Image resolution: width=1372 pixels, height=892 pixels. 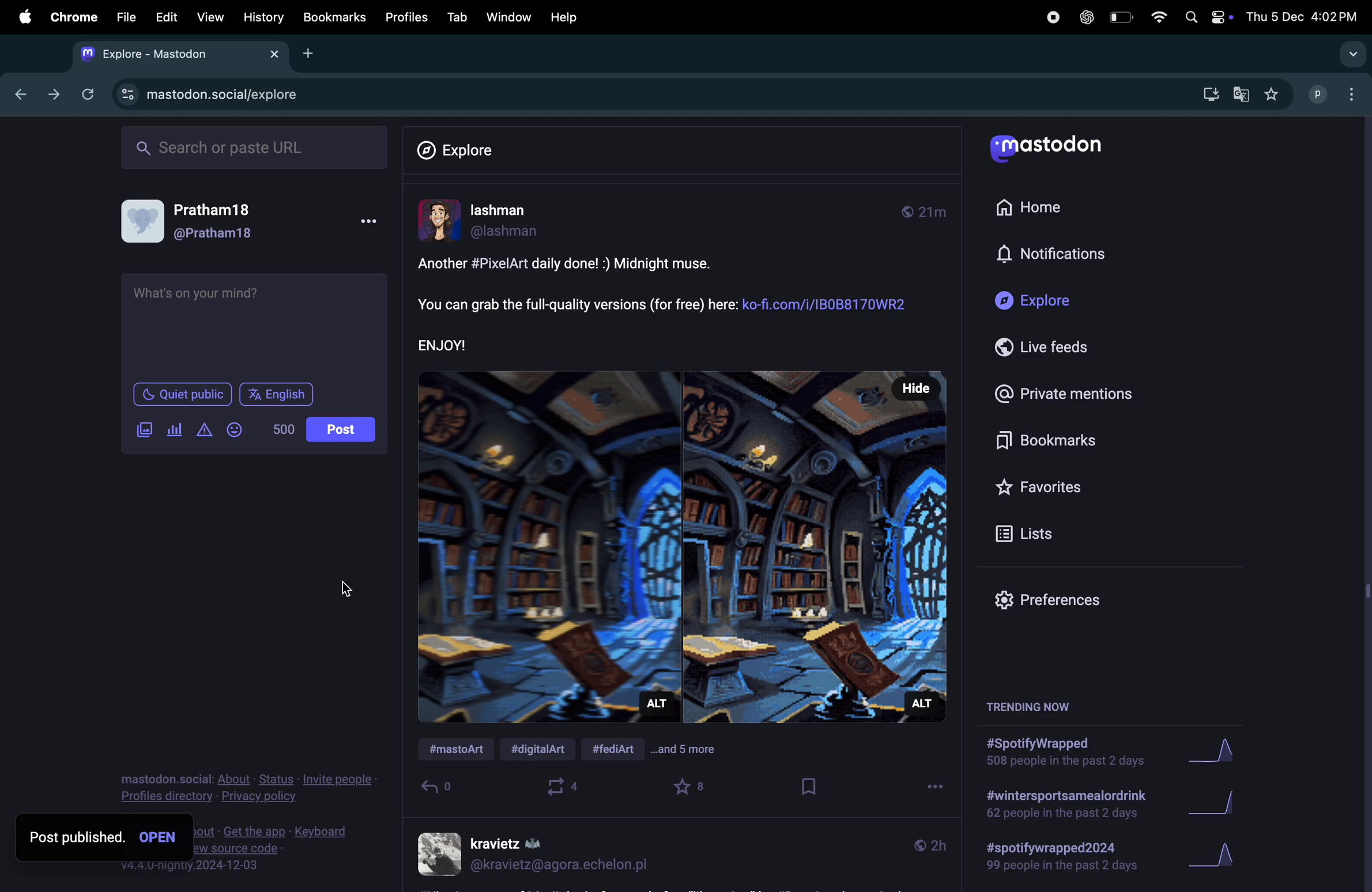 What do you see at coordinates (1207, 17) in the screenshot?
I see `apple widgets` at bounding box center [1207, 17].